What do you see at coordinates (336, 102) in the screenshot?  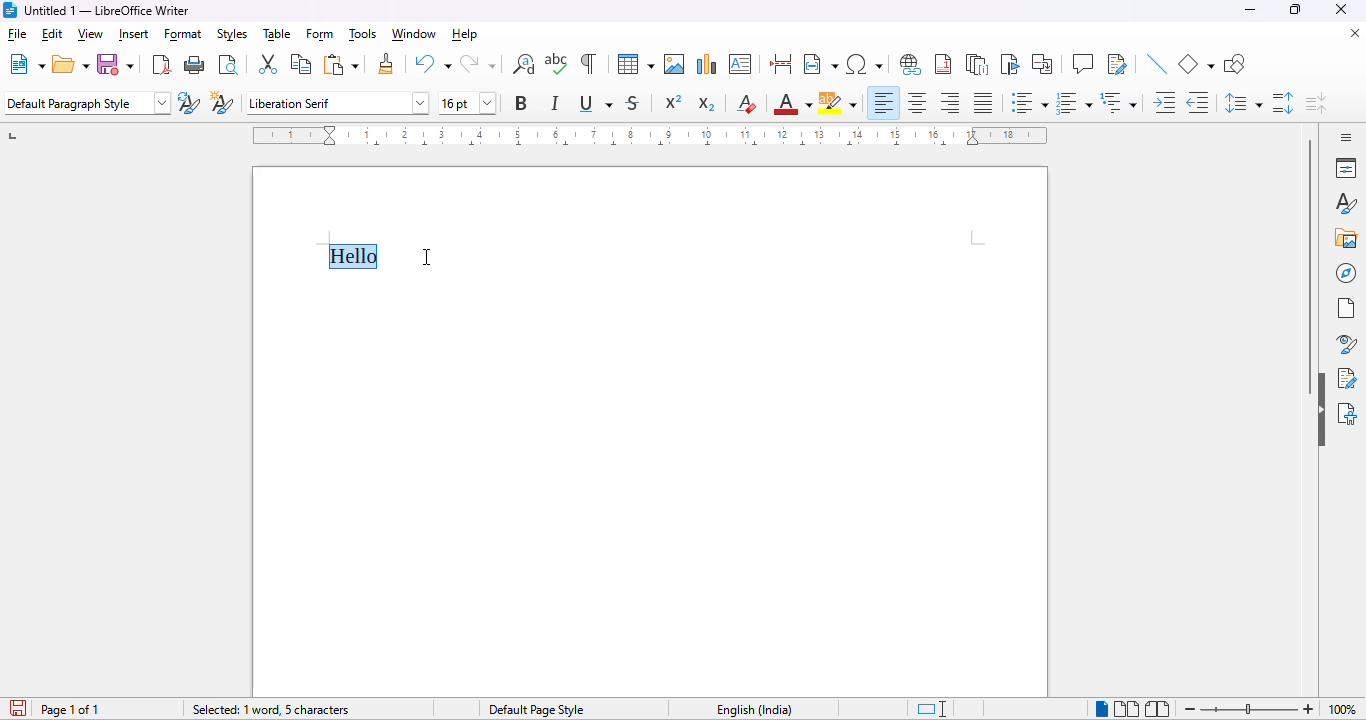 I see `Liberation Serif` at bounding box center [336, 102].